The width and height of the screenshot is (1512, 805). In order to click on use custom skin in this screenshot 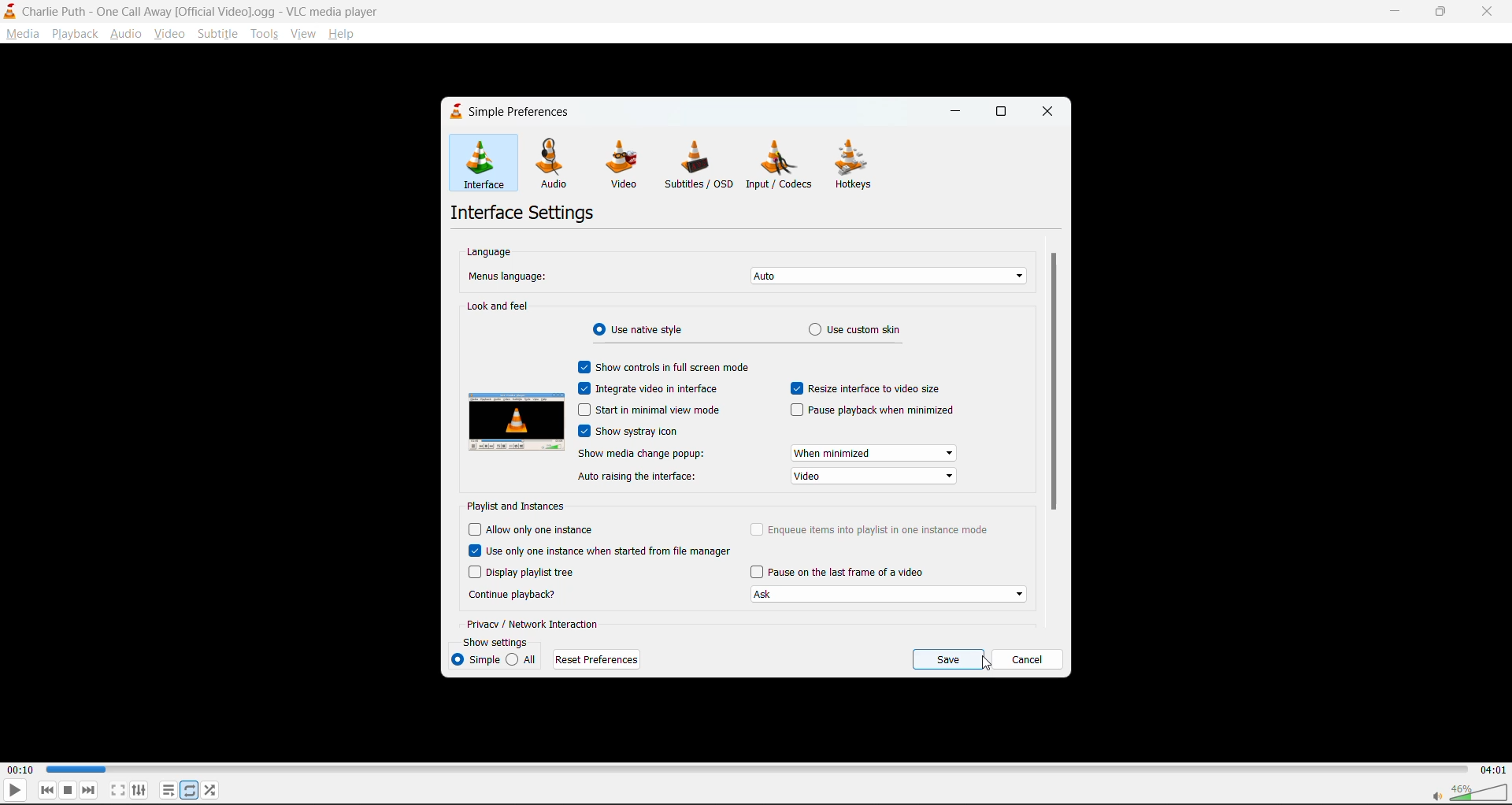, I will do `click(873, 330)`.